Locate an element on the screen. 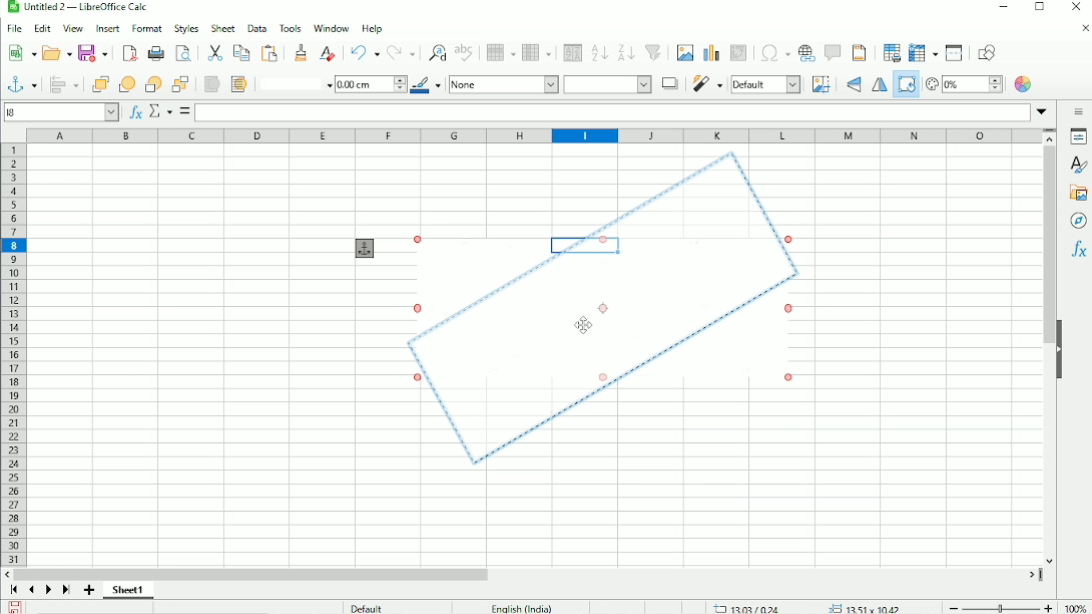  Forward one is located at coordinates (125, 83).